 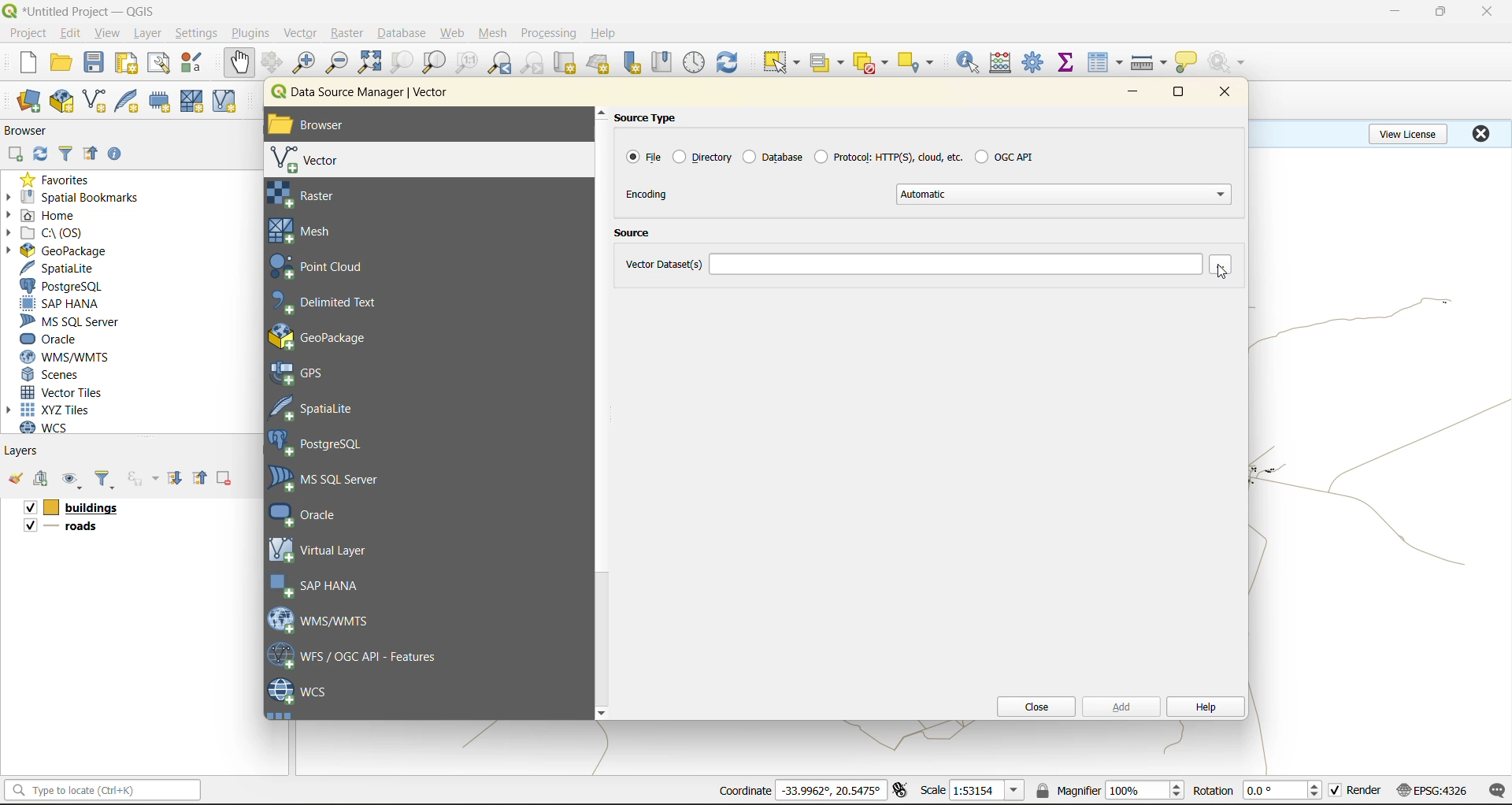 I want to click on collapse all, so click(x=91, y=157).